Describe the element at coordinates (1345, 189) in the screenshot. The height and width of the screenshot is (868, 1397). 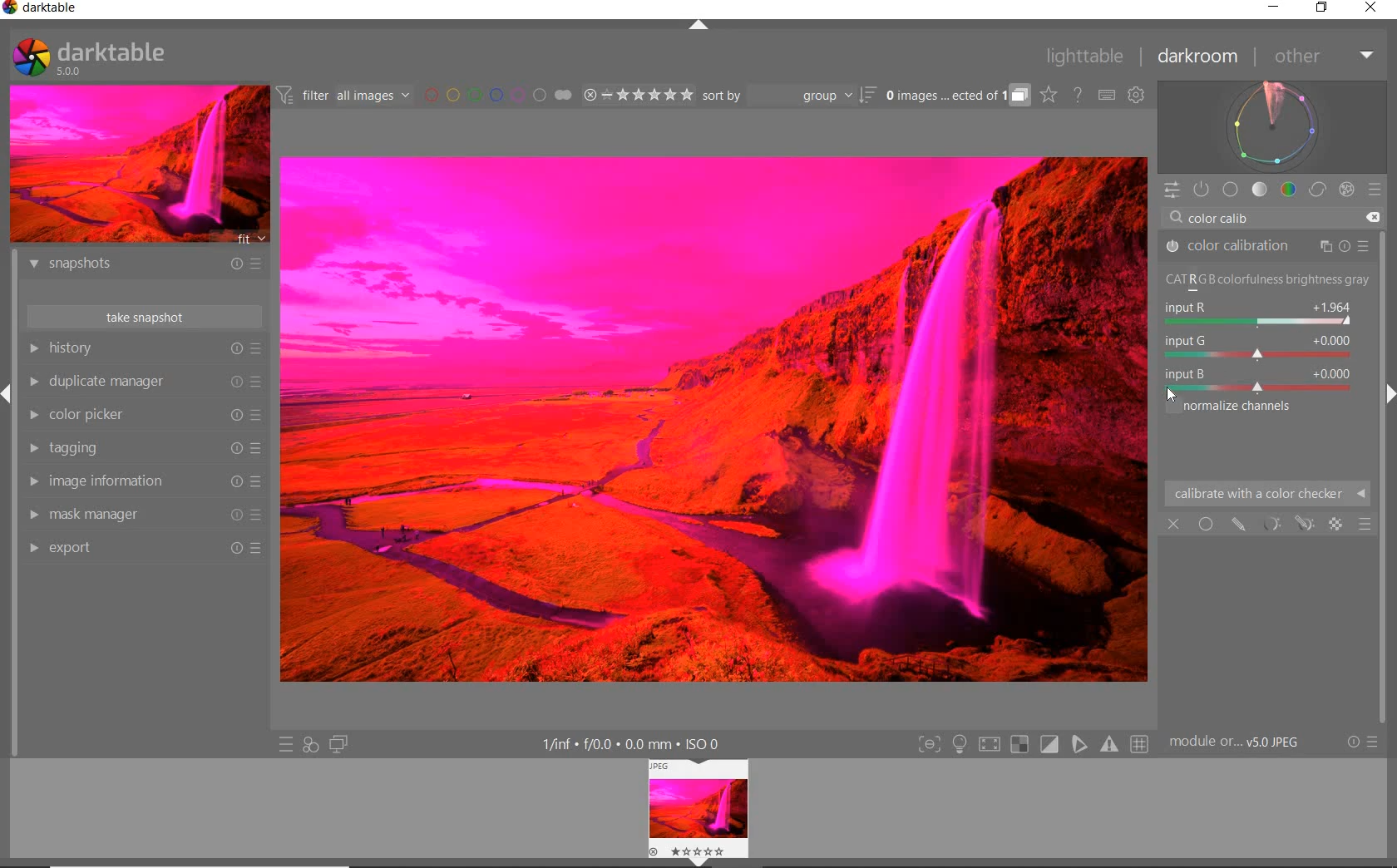
I see `effect` at that location.